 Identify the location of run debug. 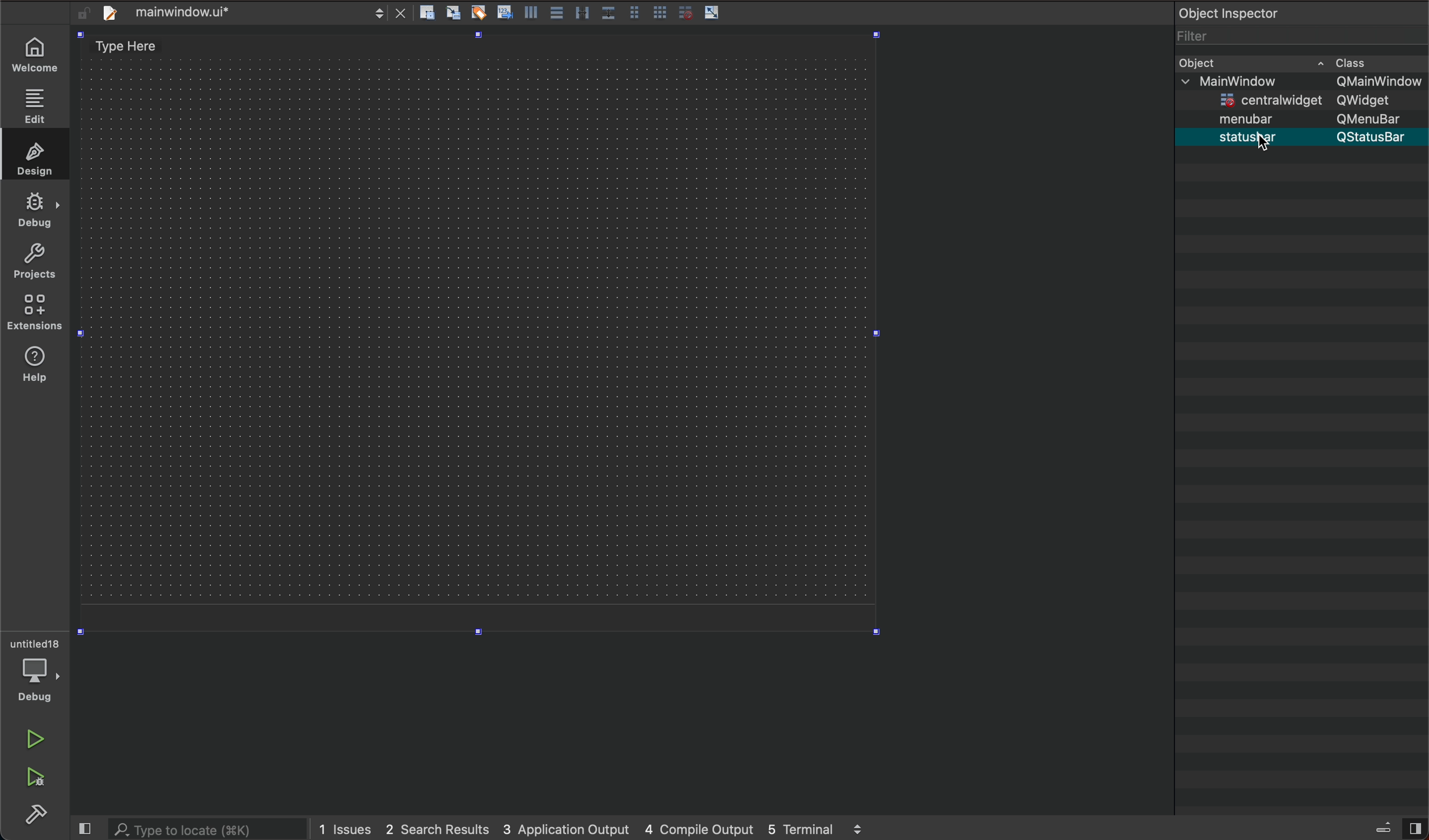
(33, 775).